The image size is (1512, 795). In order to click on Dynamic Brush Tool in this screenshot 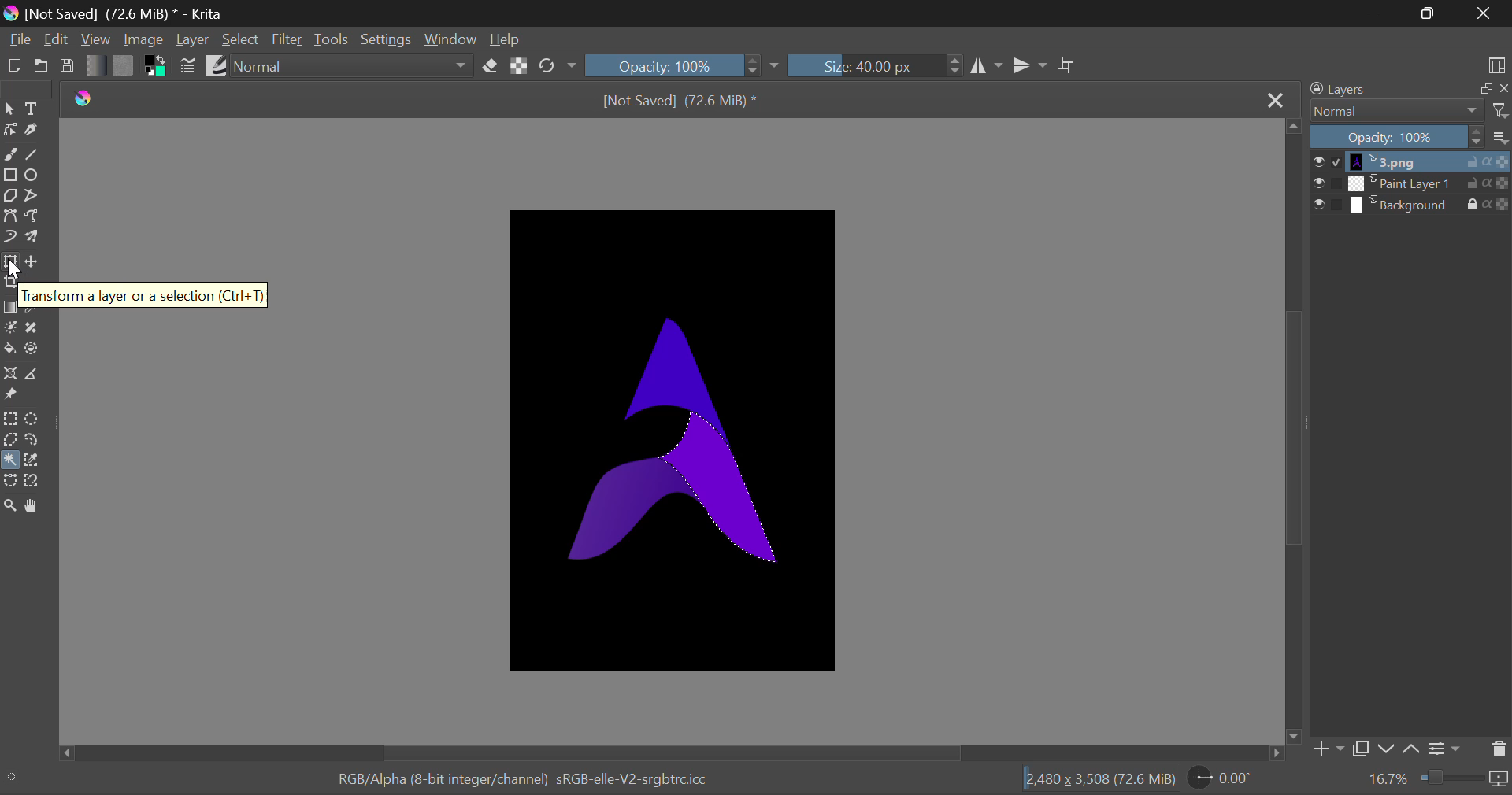, I will do `click(11, 238)`.